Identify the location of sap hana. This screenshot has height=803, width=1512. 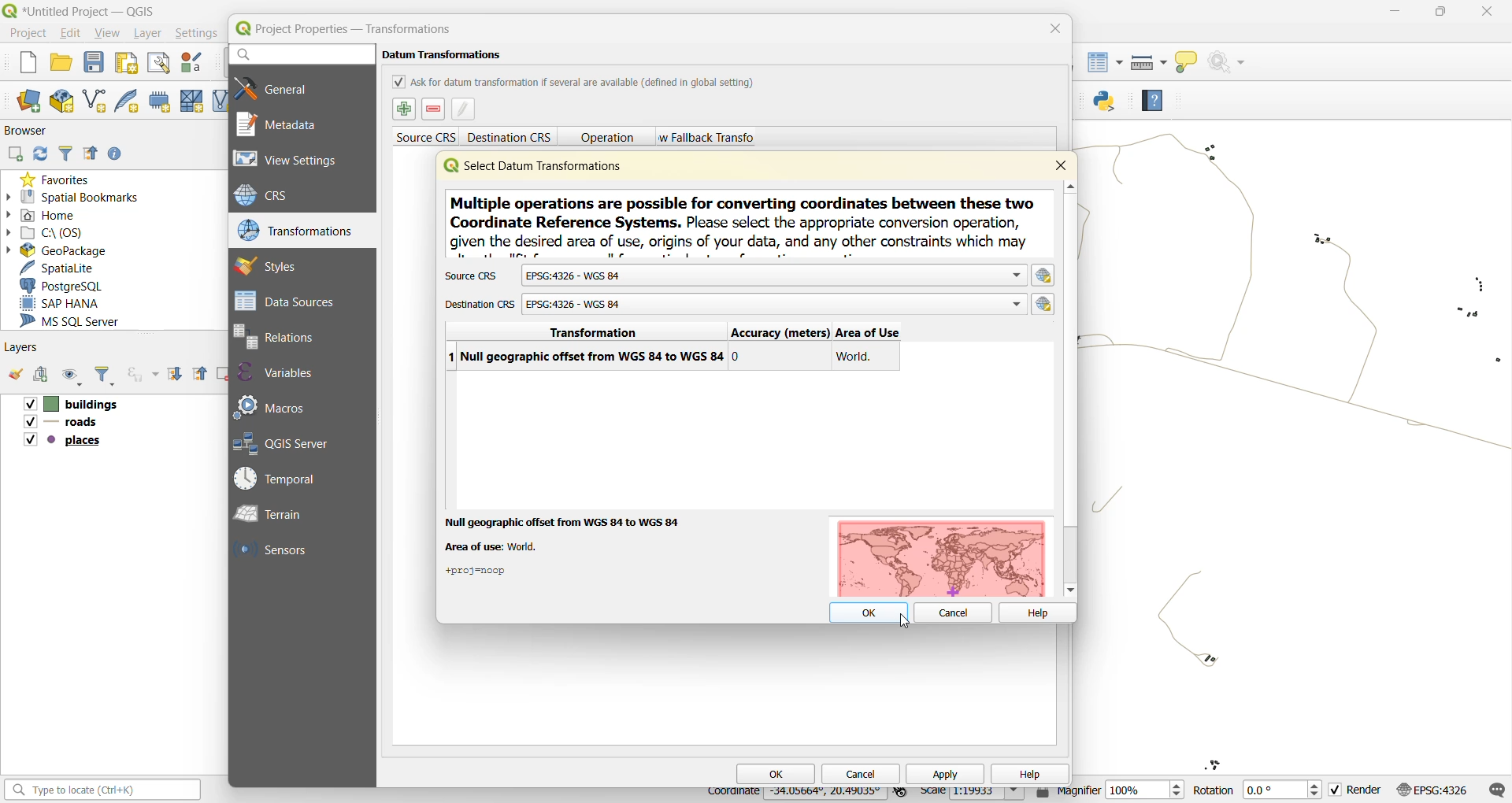
(76, 303).